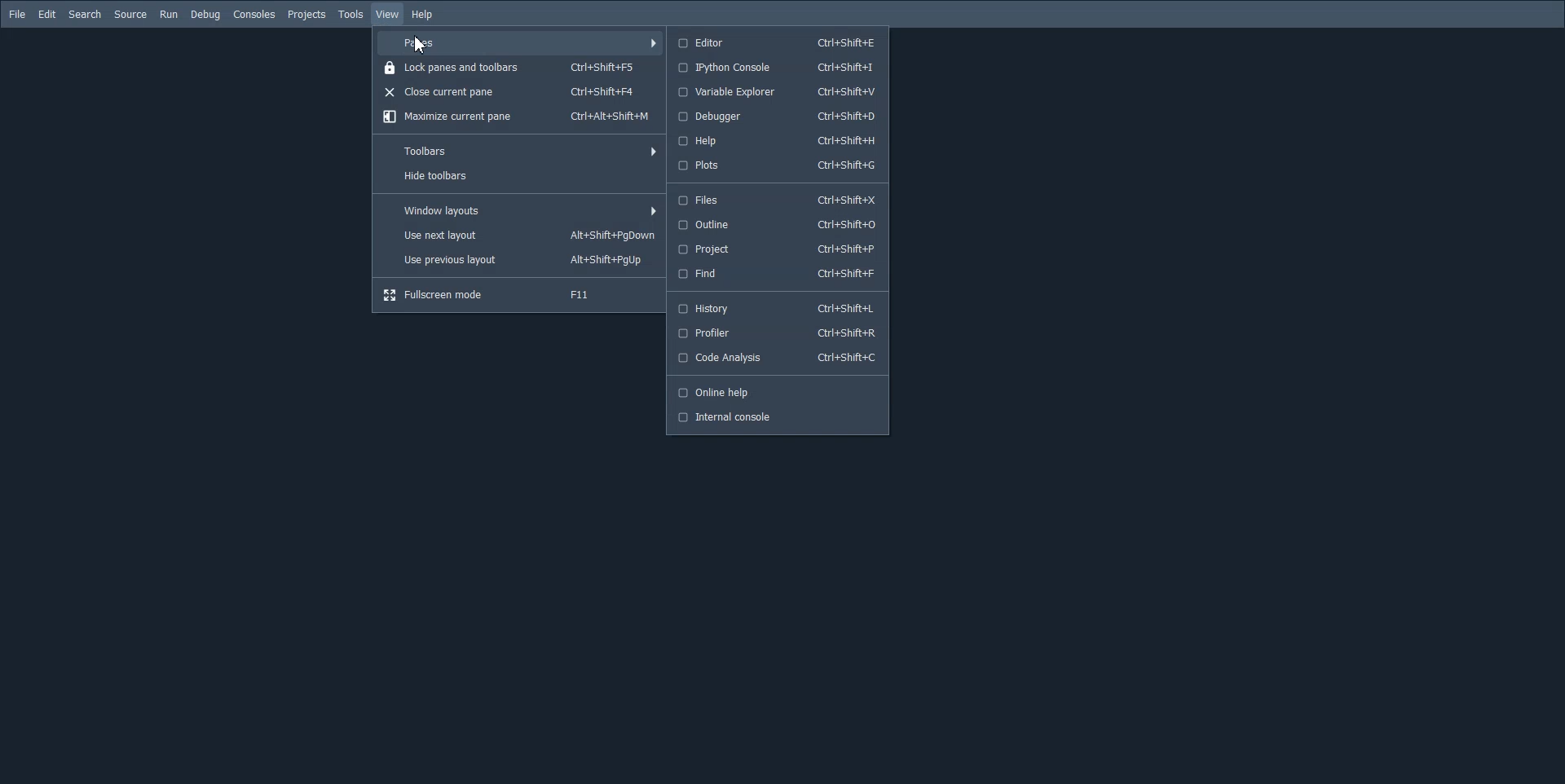 This screenshot has width=1565, height=784. I want to click on Online help, so click(780, 392).